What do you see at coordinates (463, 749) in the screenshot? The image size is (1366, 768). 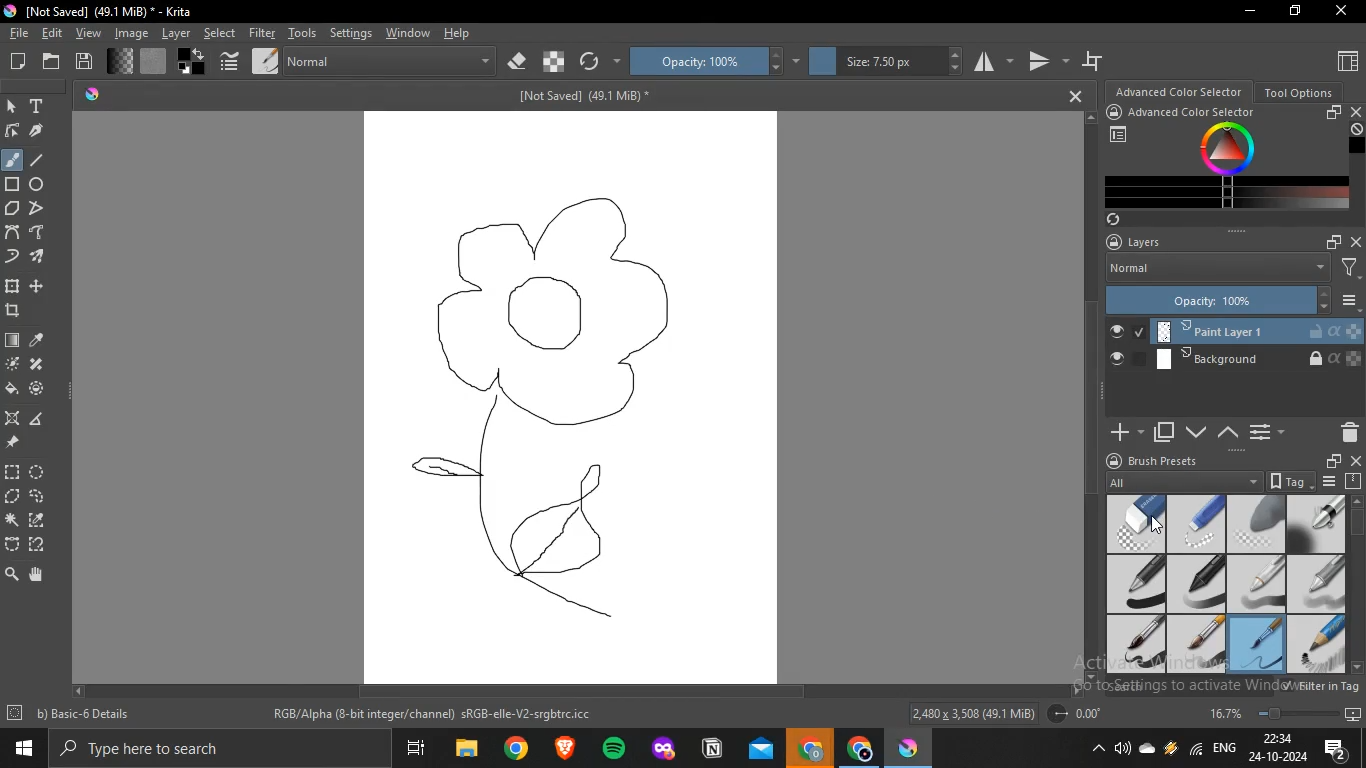 I see `Application` at bounding box center [463, 749].